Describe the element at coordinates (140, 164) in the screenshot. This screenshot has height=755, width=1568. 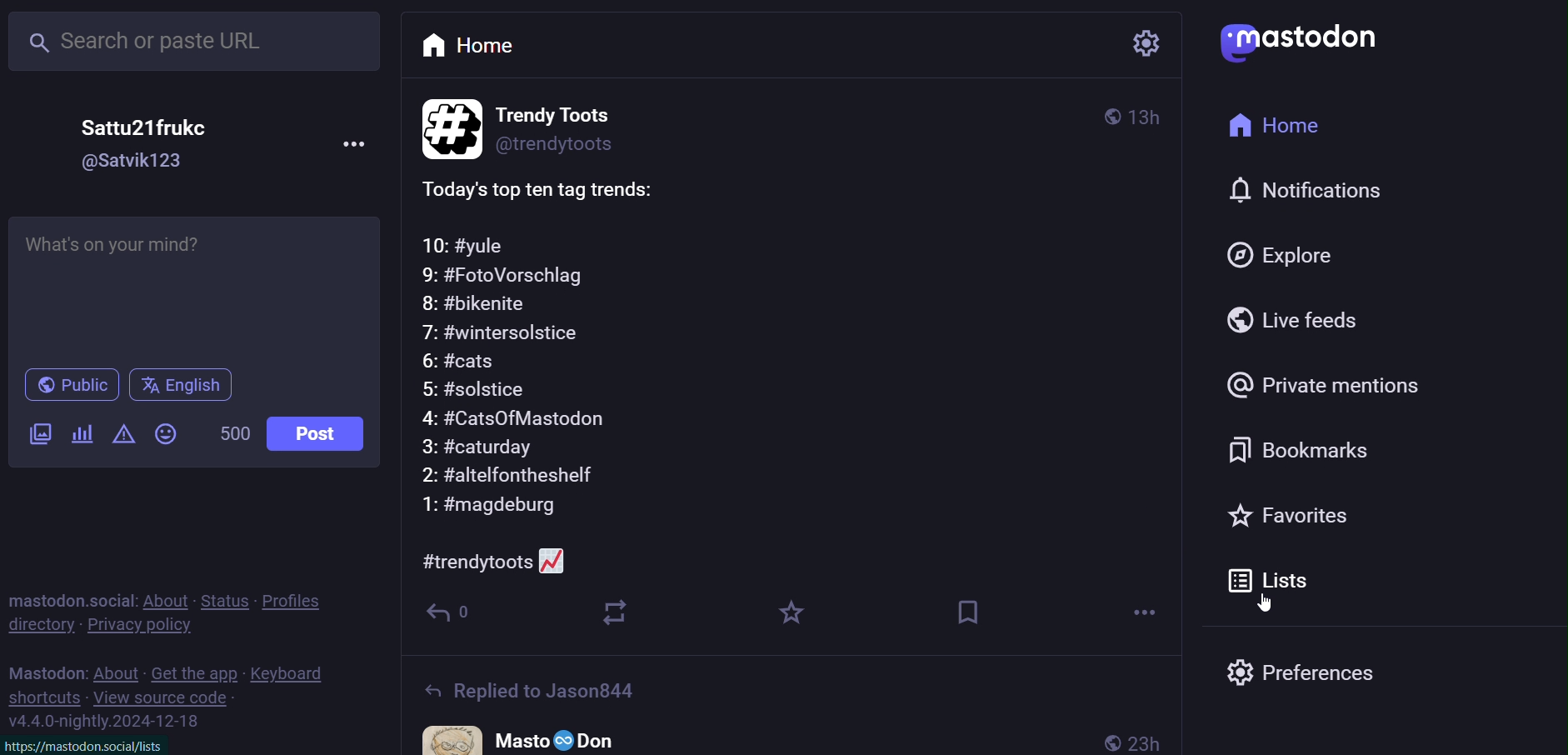
I see `@Satvik123` at that location.